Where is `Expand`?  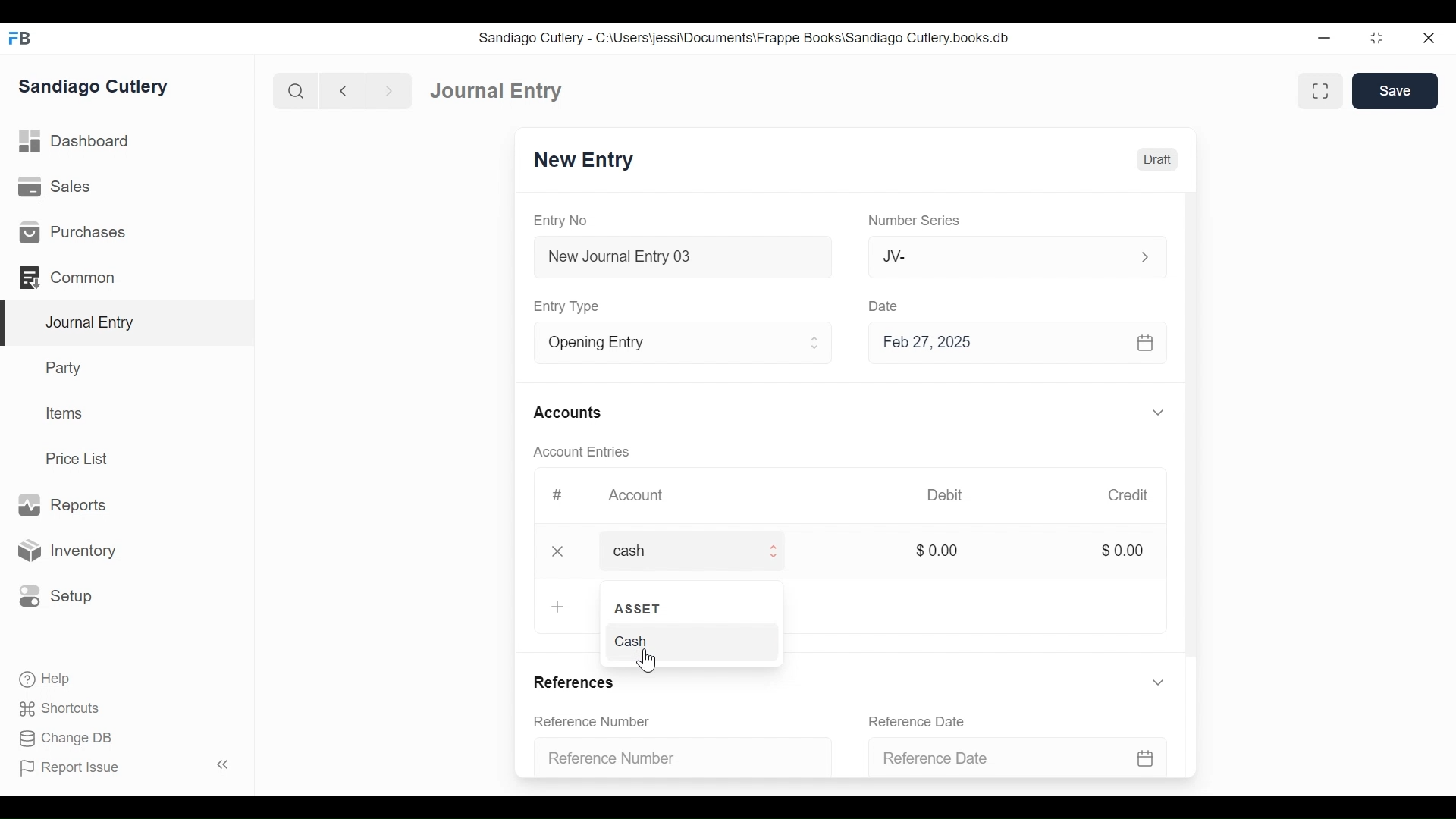
Expand is located at coordinates (1143, 256).